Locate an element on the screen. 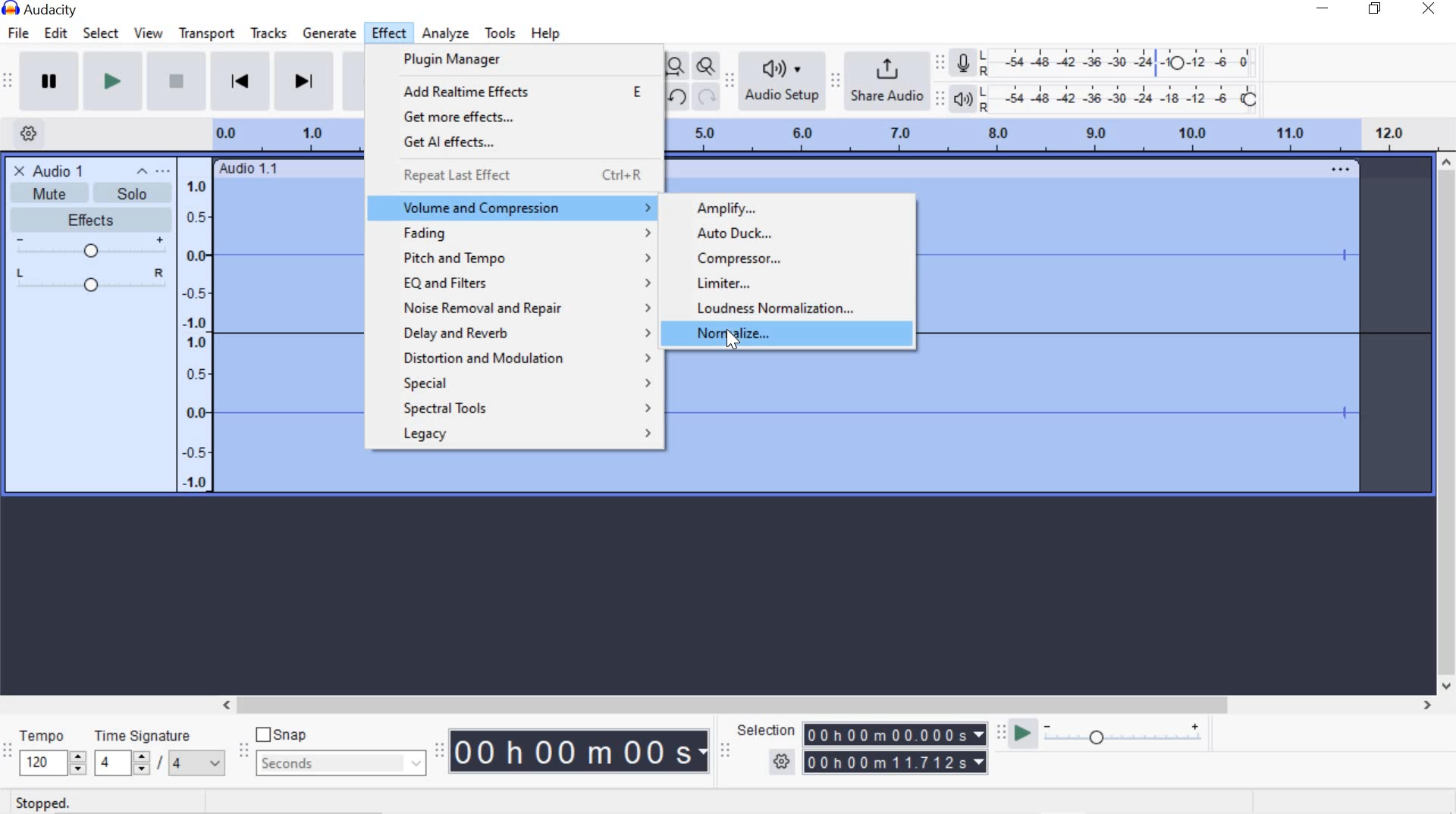 The height and width of the screenshot is (814, 1456). Auto Duck is located at coordinates (741, 233).